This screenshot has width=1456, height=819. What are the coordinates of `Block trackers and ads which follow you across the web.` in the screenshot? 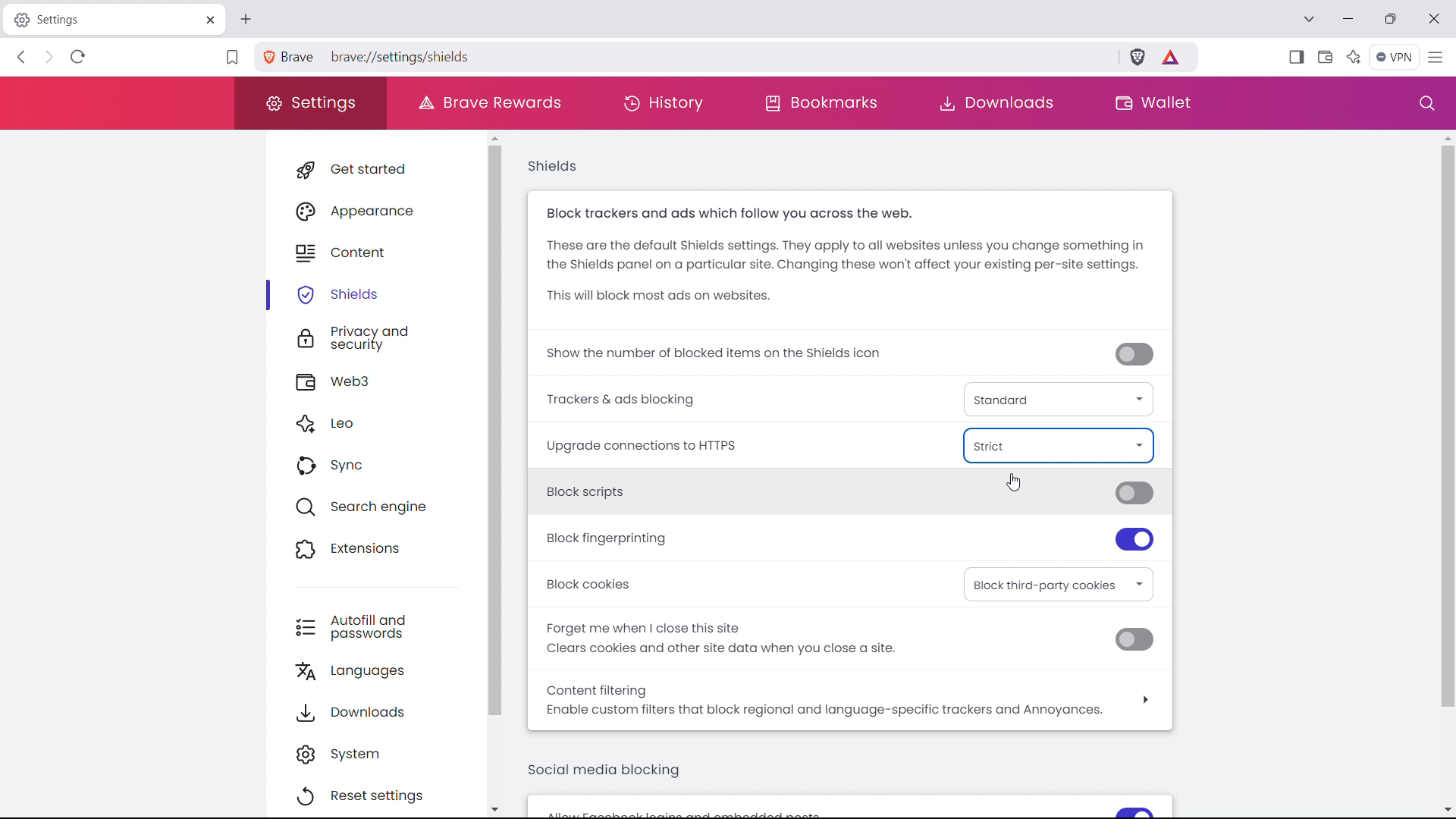 It's located at (740, 214).